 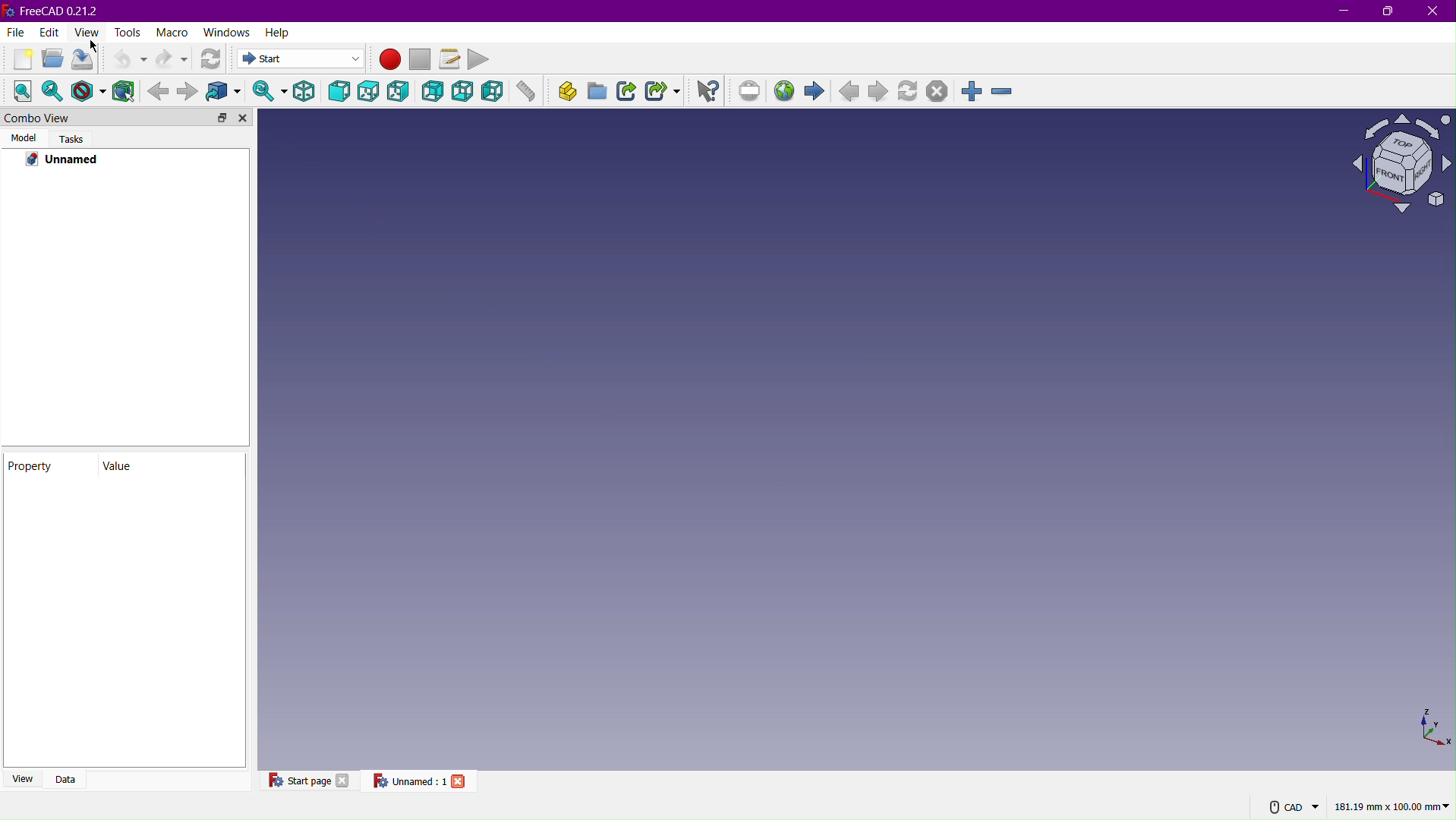 I want to click on Top, so click(x=369, y=92).